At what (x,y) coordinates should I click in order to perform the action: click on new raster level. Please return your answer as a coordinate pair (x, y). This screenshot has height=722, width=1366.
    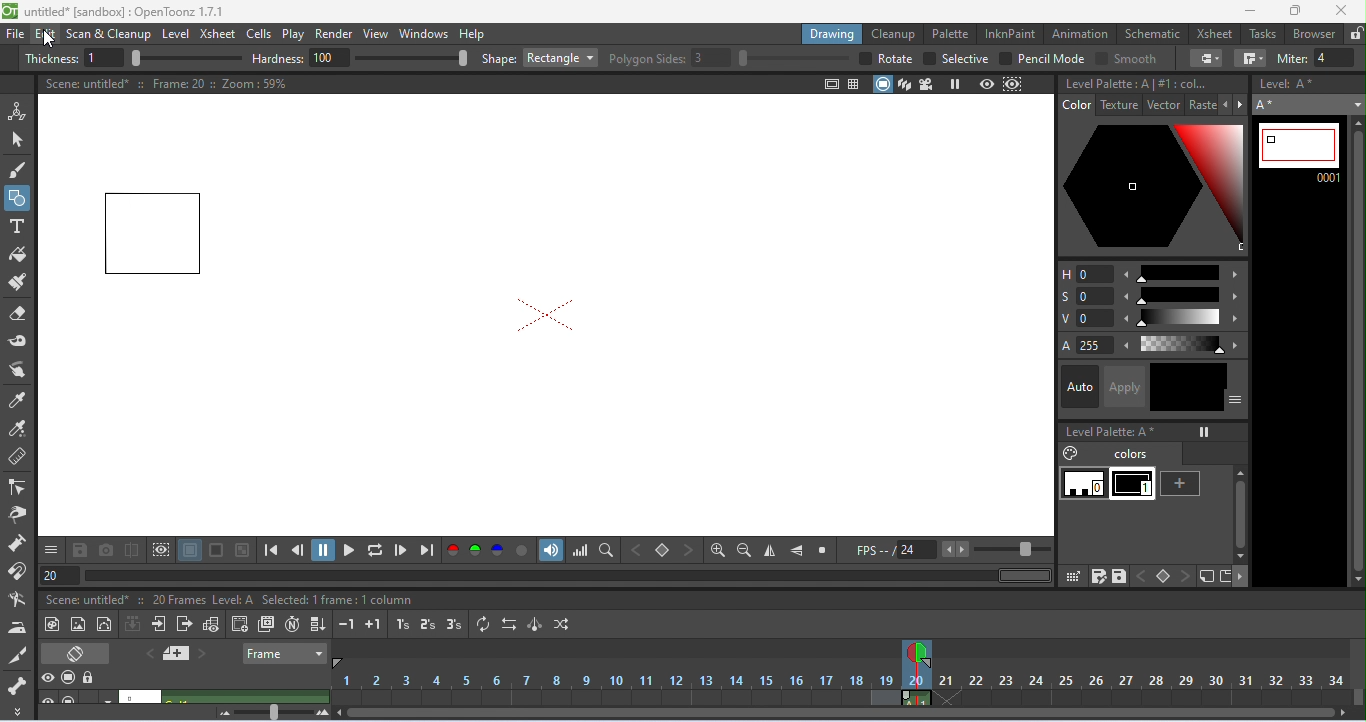
    Looking at the image, I should click on (78, 623).